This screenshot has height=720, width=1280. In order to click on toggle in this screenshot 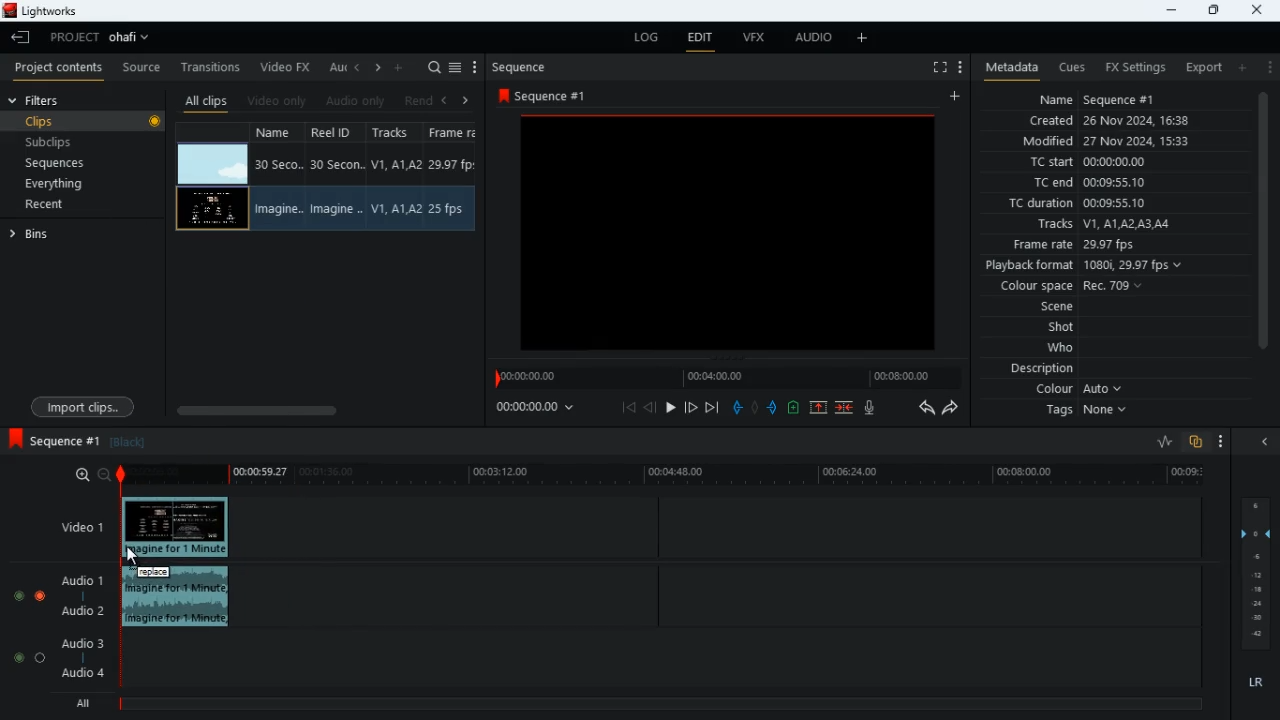, I will do `click(41, 596)`.